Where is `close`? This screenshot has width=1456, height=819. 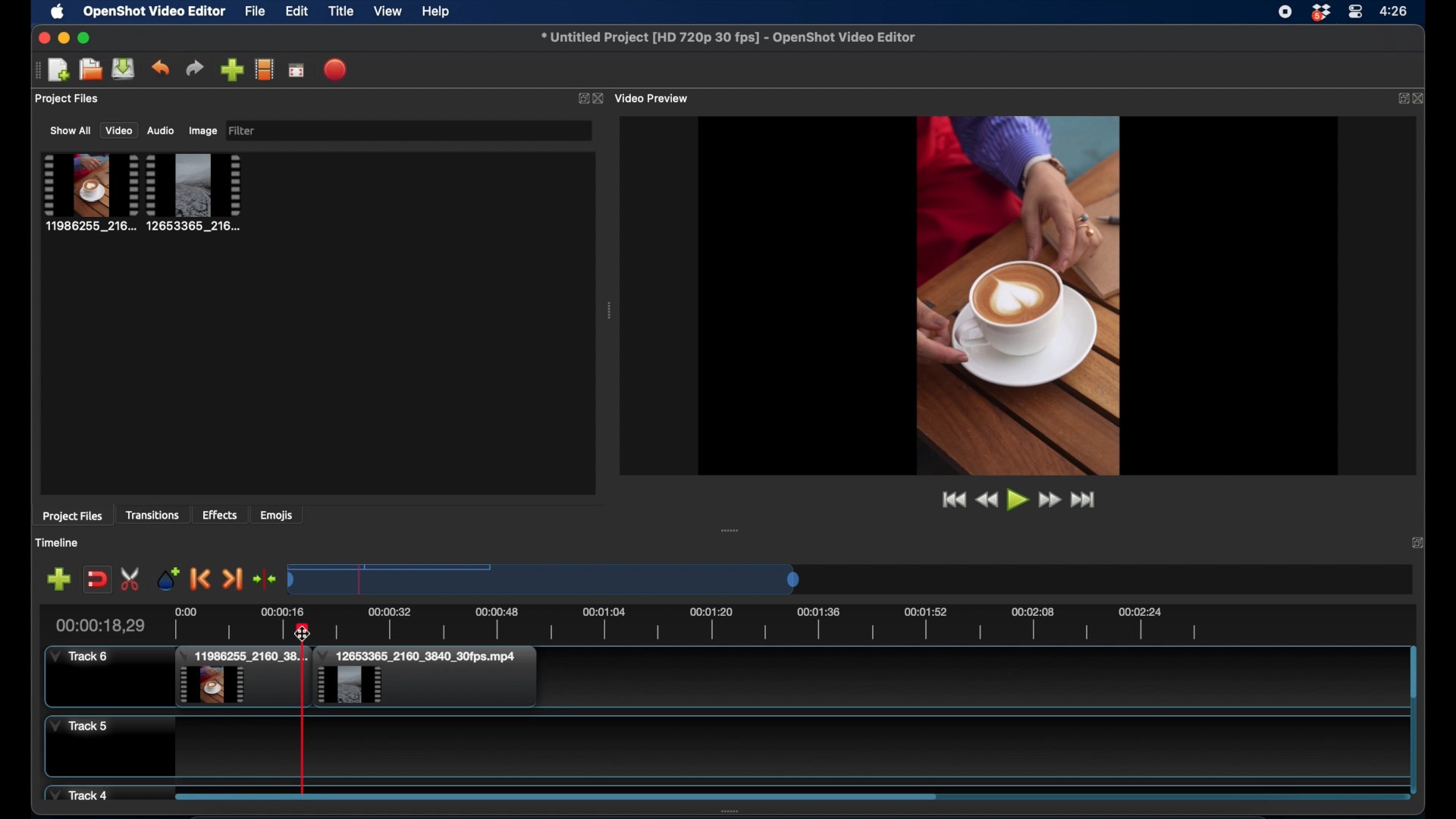 close is located at coordinates (41, 37).